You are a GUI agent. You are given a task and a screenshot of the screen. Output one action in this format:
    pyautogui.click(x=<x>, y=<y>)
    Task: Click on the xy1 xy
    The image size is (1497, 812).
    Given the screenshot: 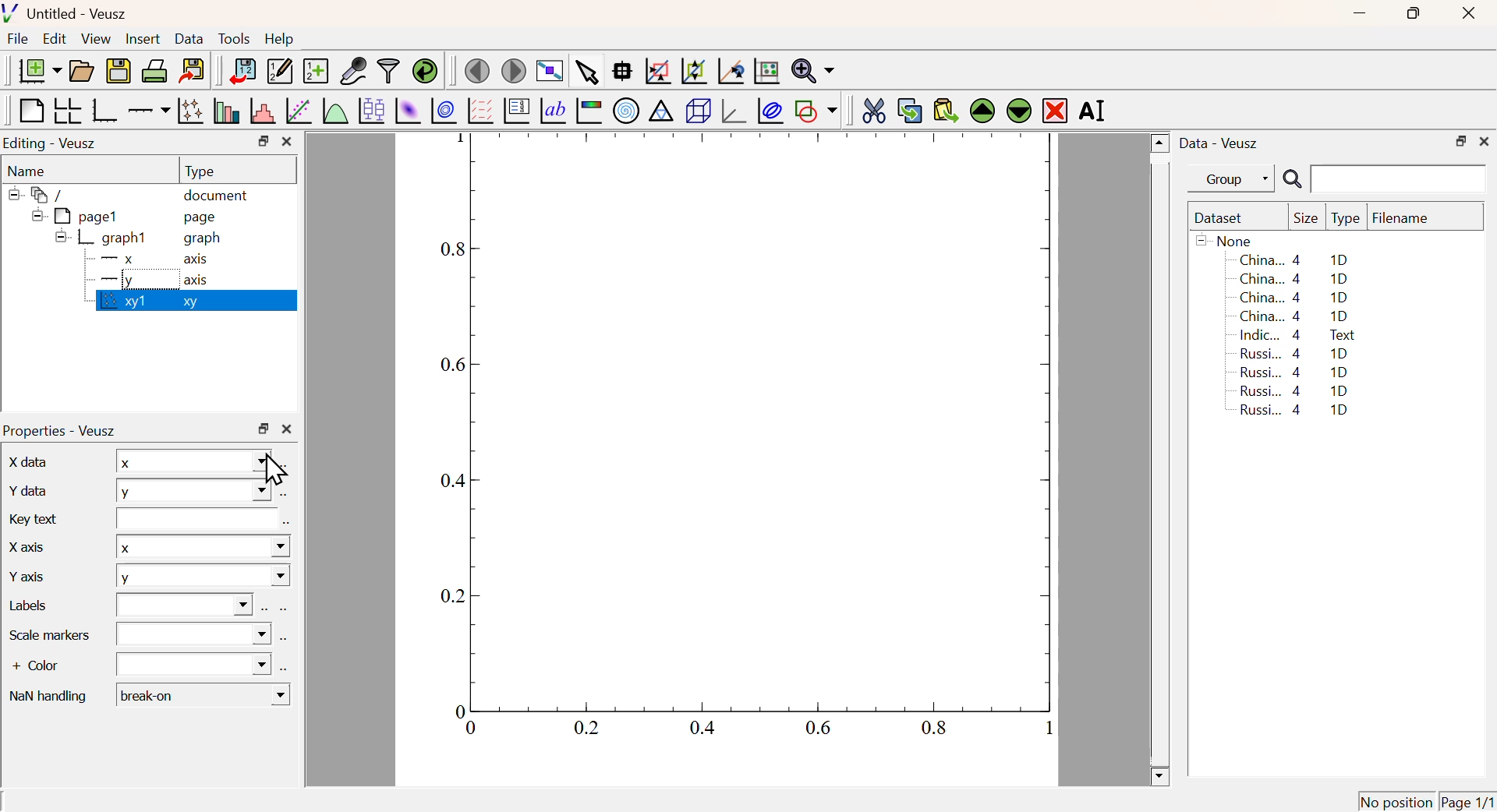 What is the action you would take?
    pyautogui.click(x=145, y=302)
    